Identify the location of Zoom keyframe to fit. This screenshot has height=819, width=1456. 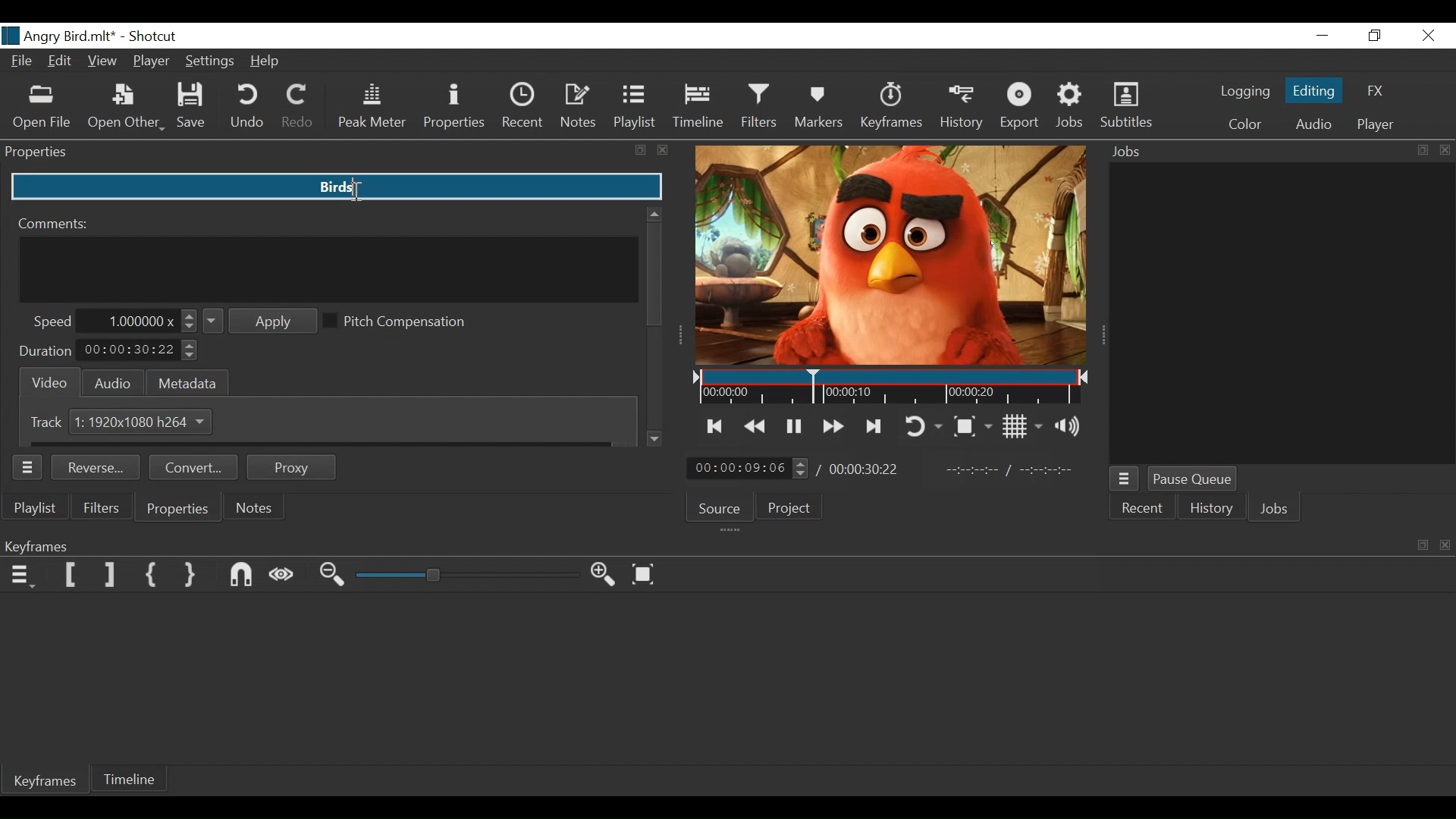
(647, 575).